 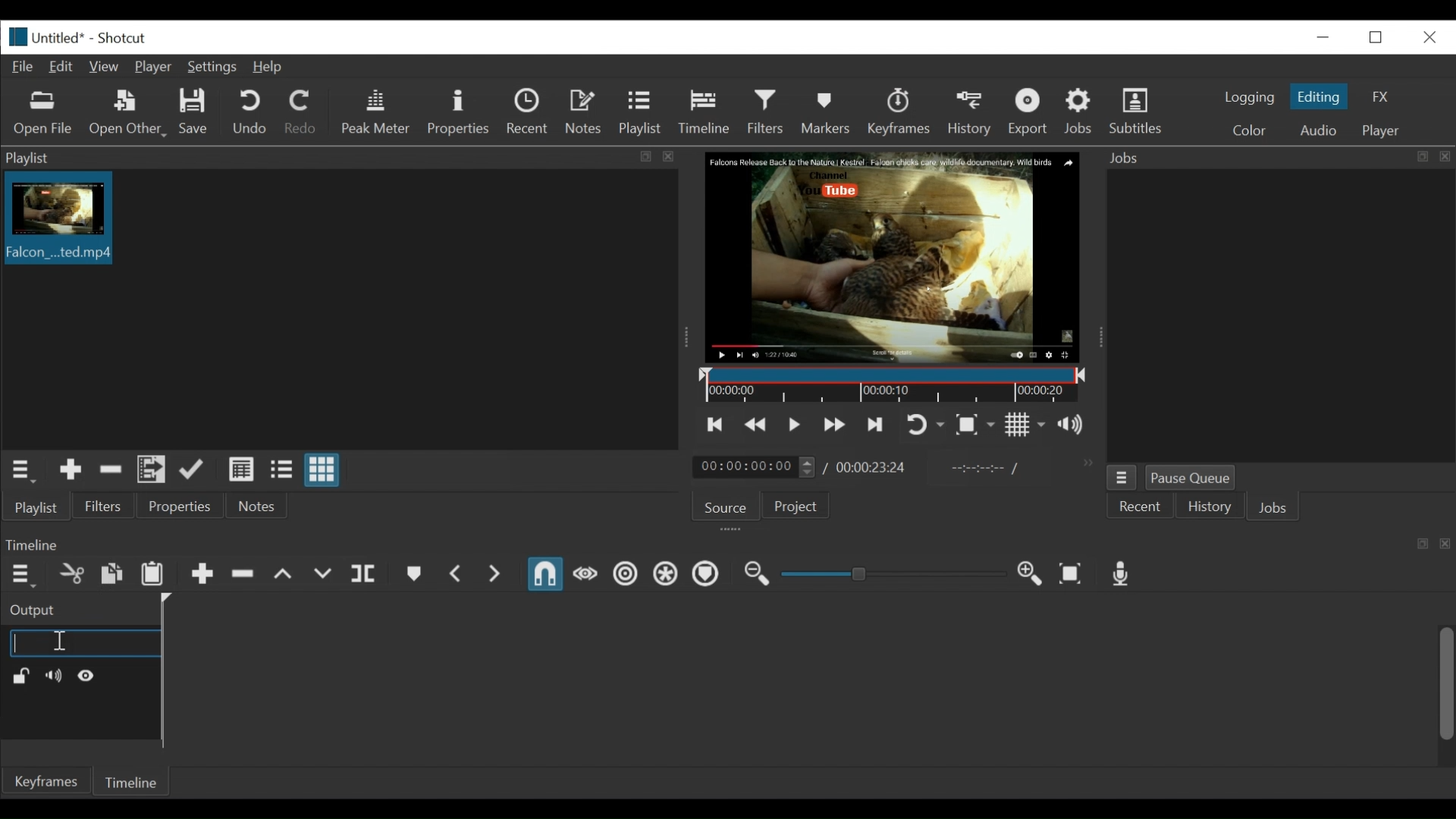 What do you see at coordinates (322, 472) in the screenshot?
I see `View as icons` at bounding box center [322, 472].